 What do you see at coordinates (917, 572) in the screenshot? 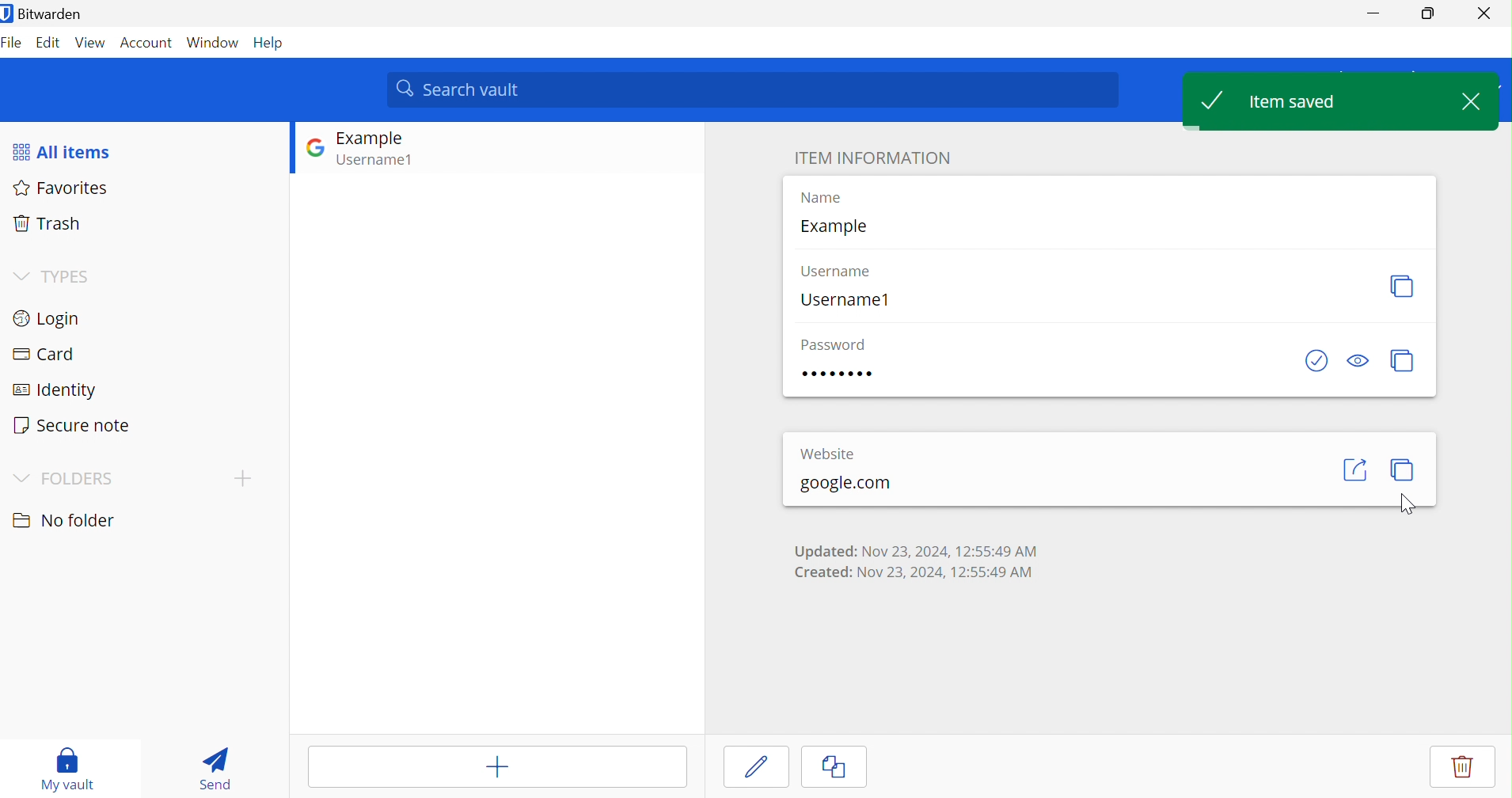
I see `Created: Nov 23, 2024, 12:55:49 AM` at bounding box center [917, 572].